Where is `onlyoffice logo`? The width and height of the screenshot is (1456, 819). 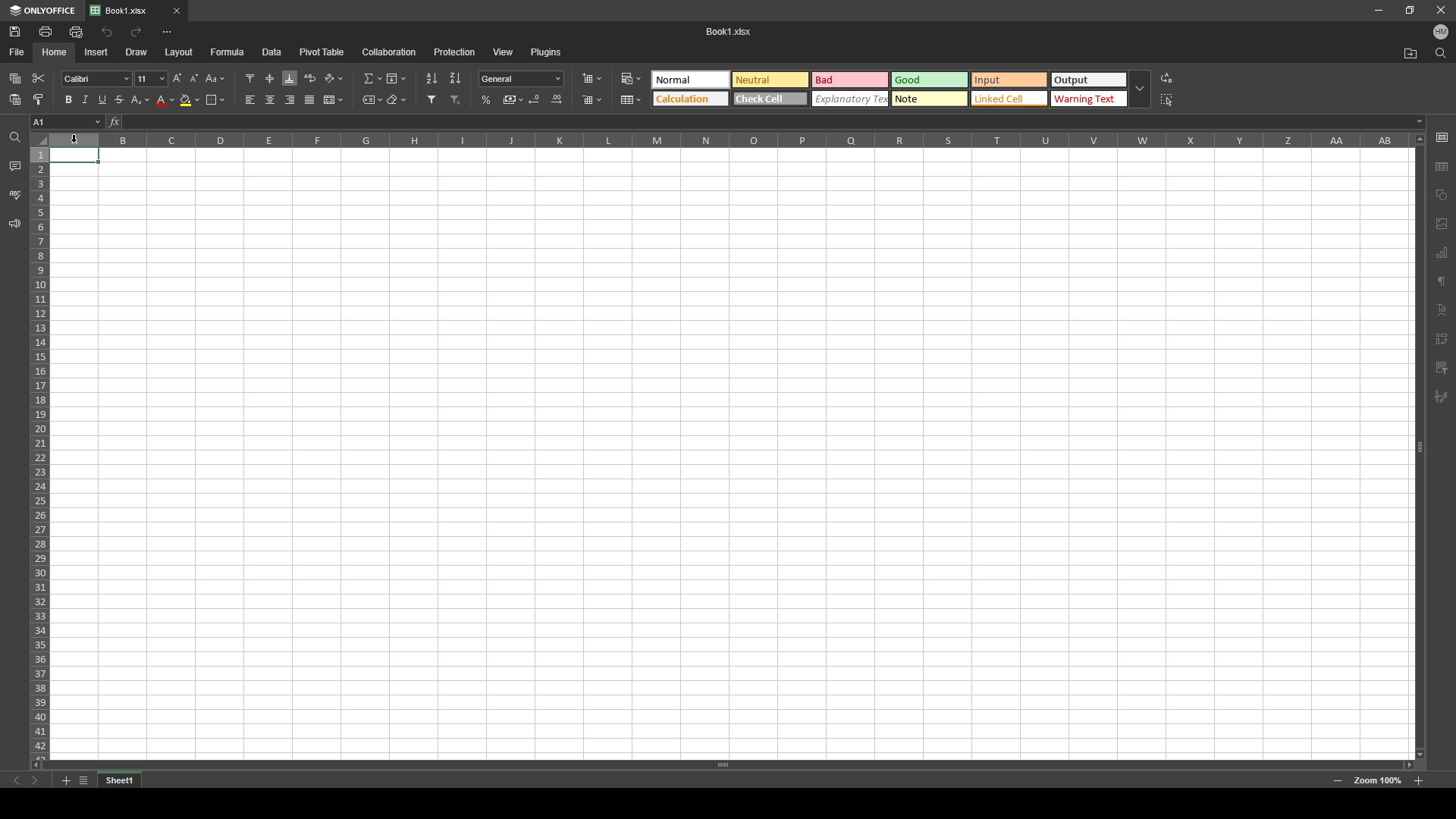 onlyoffice logo is located at coordinates (43, 11).